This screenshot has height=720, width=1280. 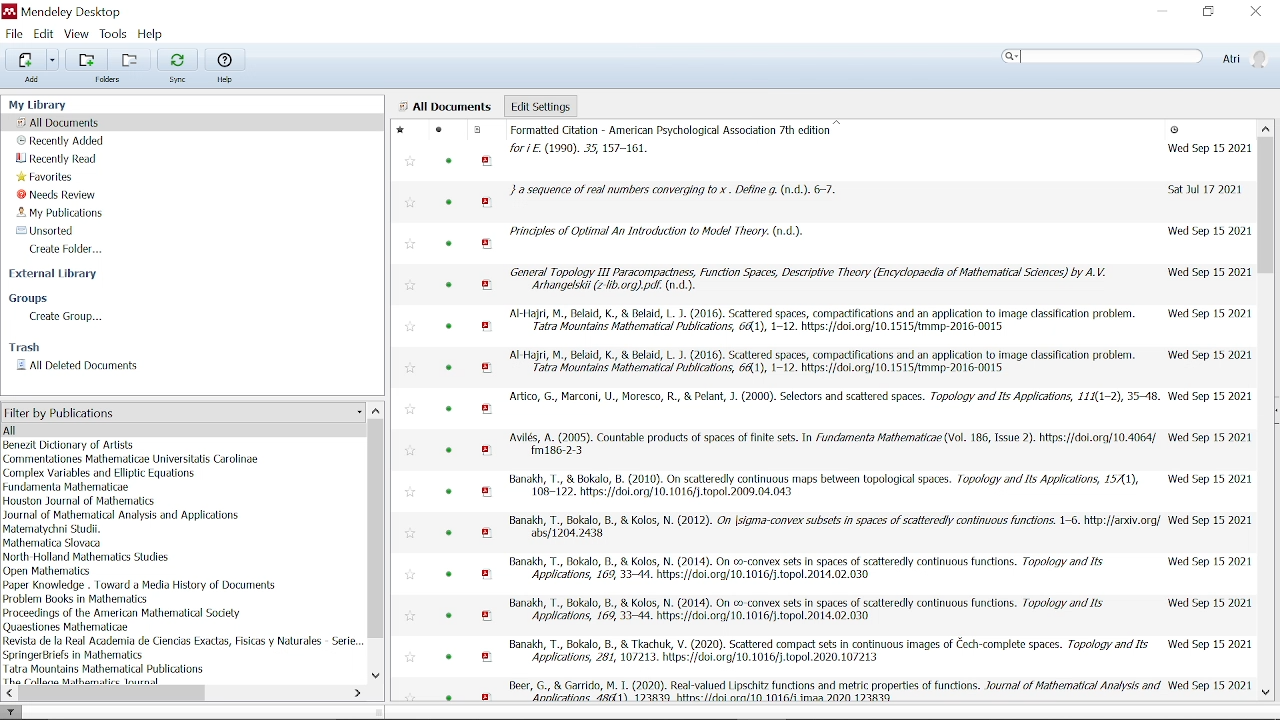 What do you see at coordinates (163, 429) in the screenshot?
I see `All` at bounding box center [163, 429].